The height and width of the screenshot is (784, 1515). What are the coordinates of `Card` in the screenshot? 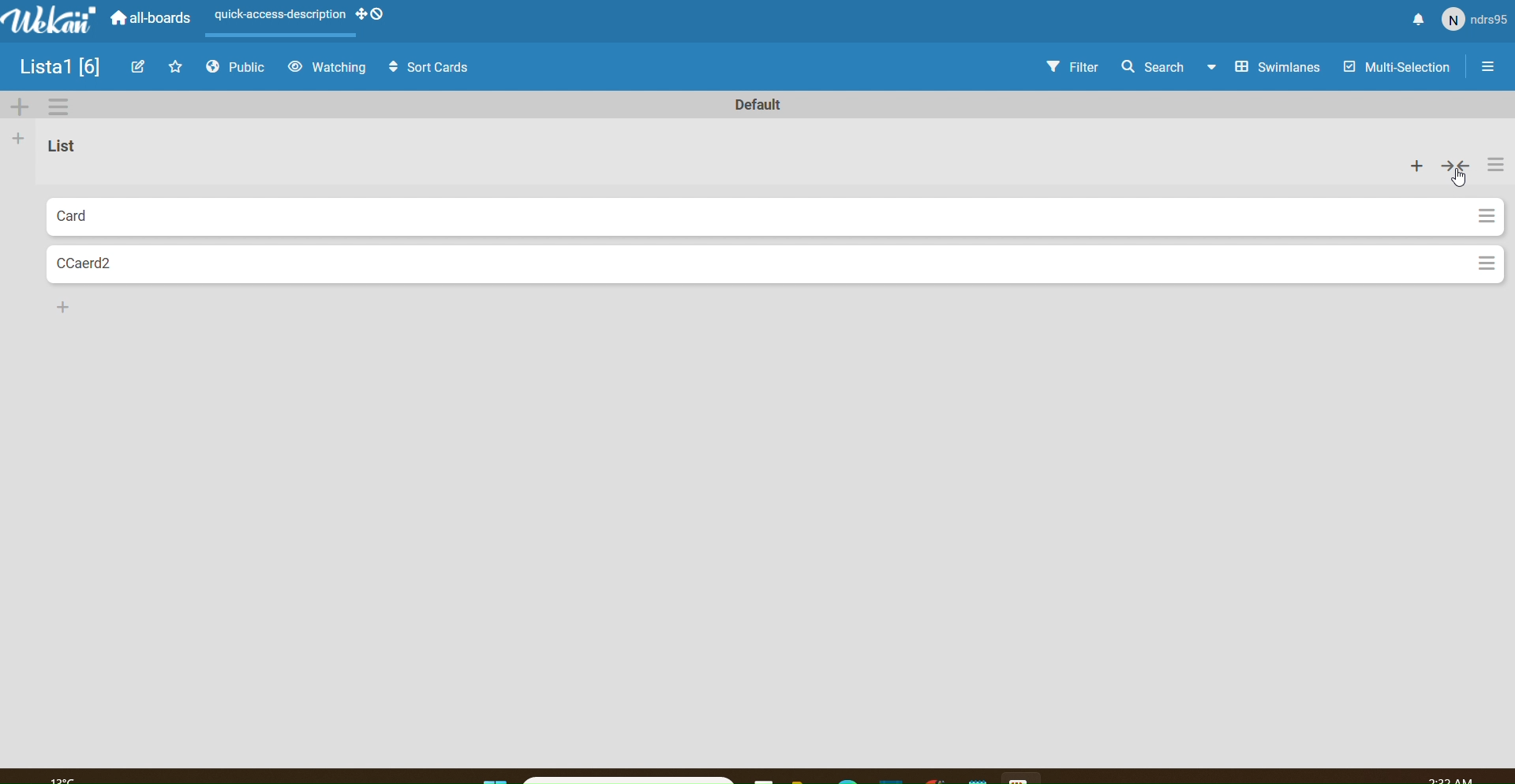 It's located at (751, 267).